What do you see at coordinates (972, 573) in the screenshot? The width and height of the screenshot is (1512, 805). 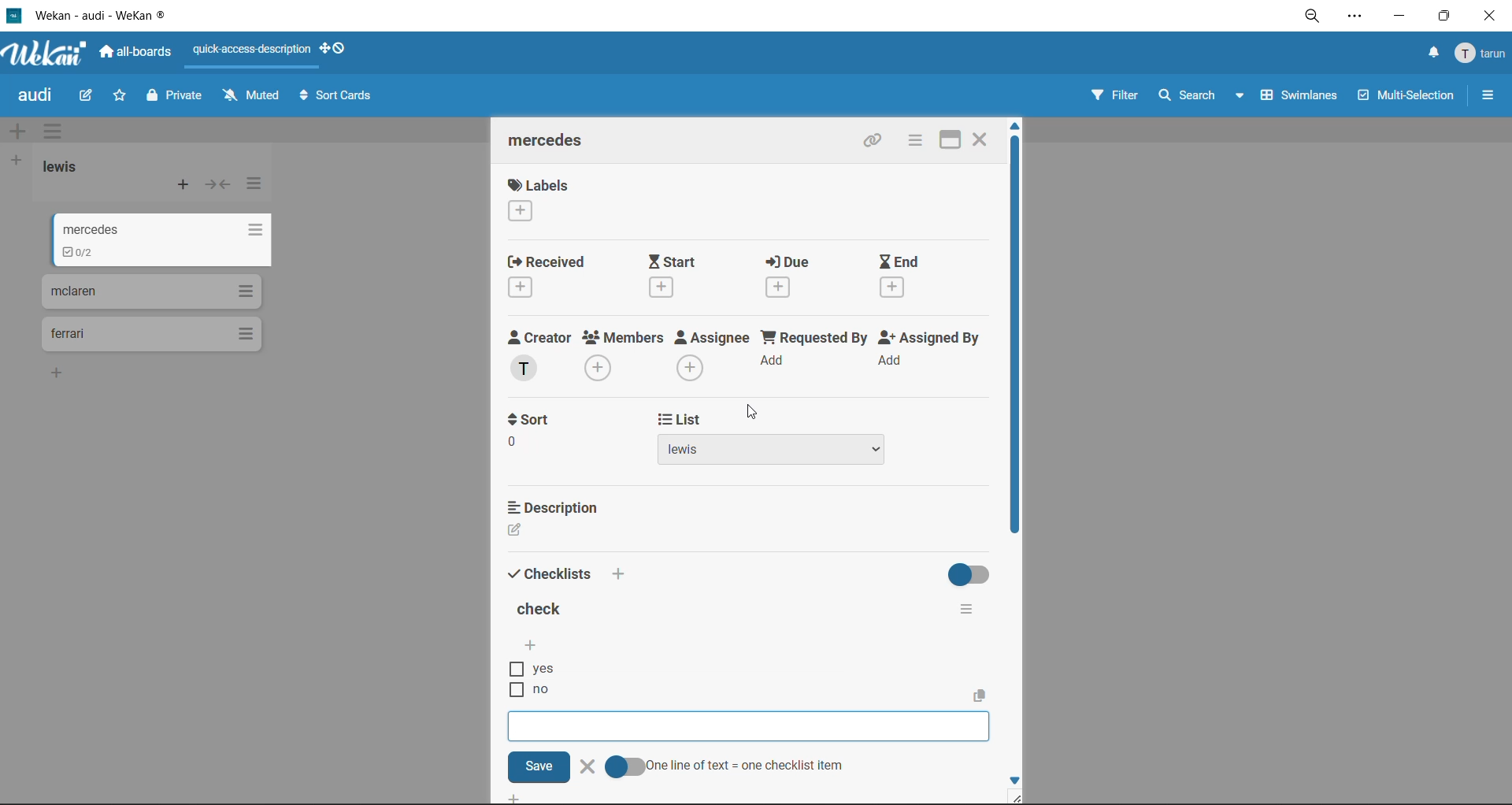 I see `hide completed checklist` at bounding box center [972, 573].